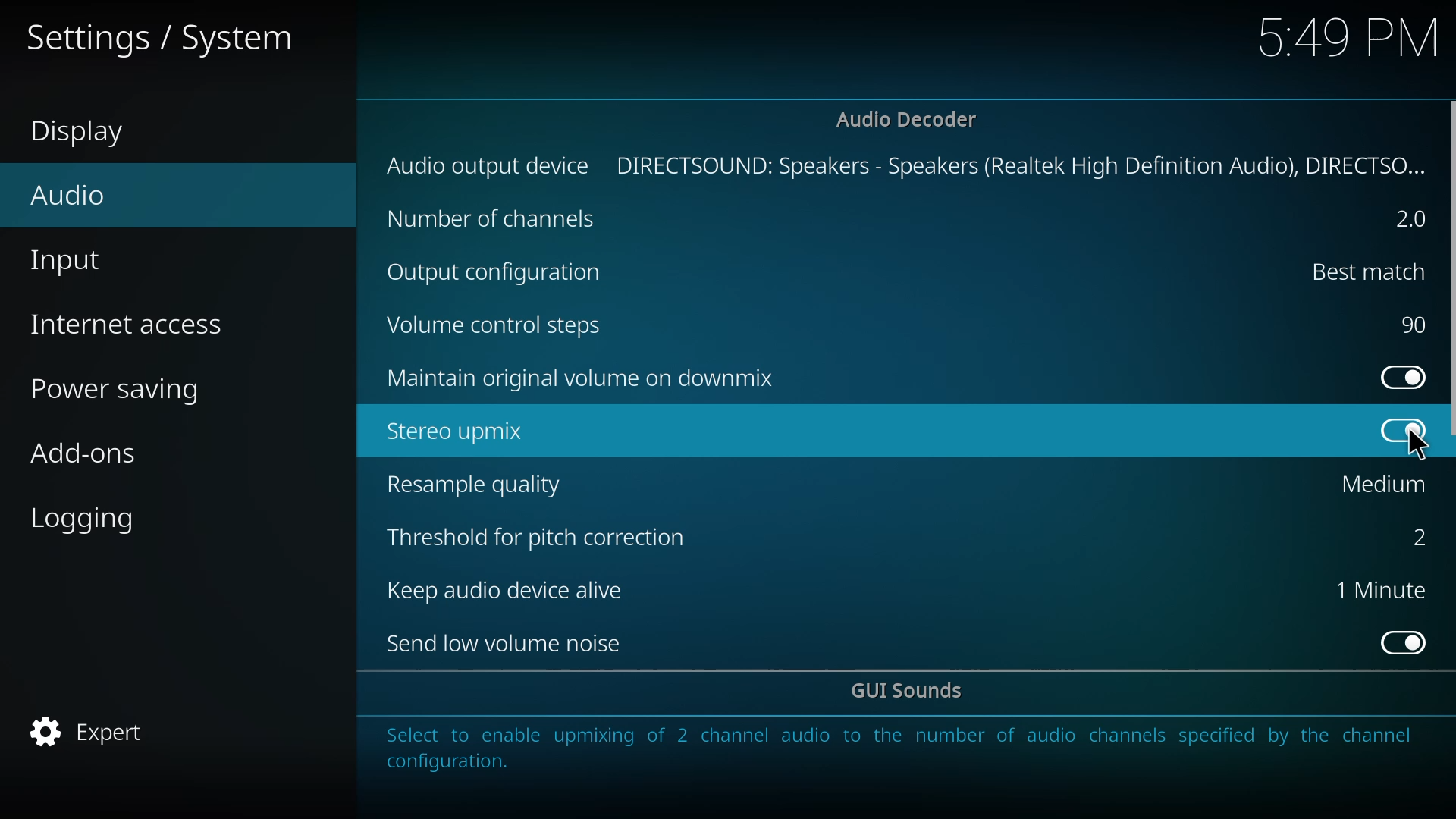  What do you see at coordinates (1363, 271) in the screenshot?
I see `best match` at bounding box center [1363, 271].